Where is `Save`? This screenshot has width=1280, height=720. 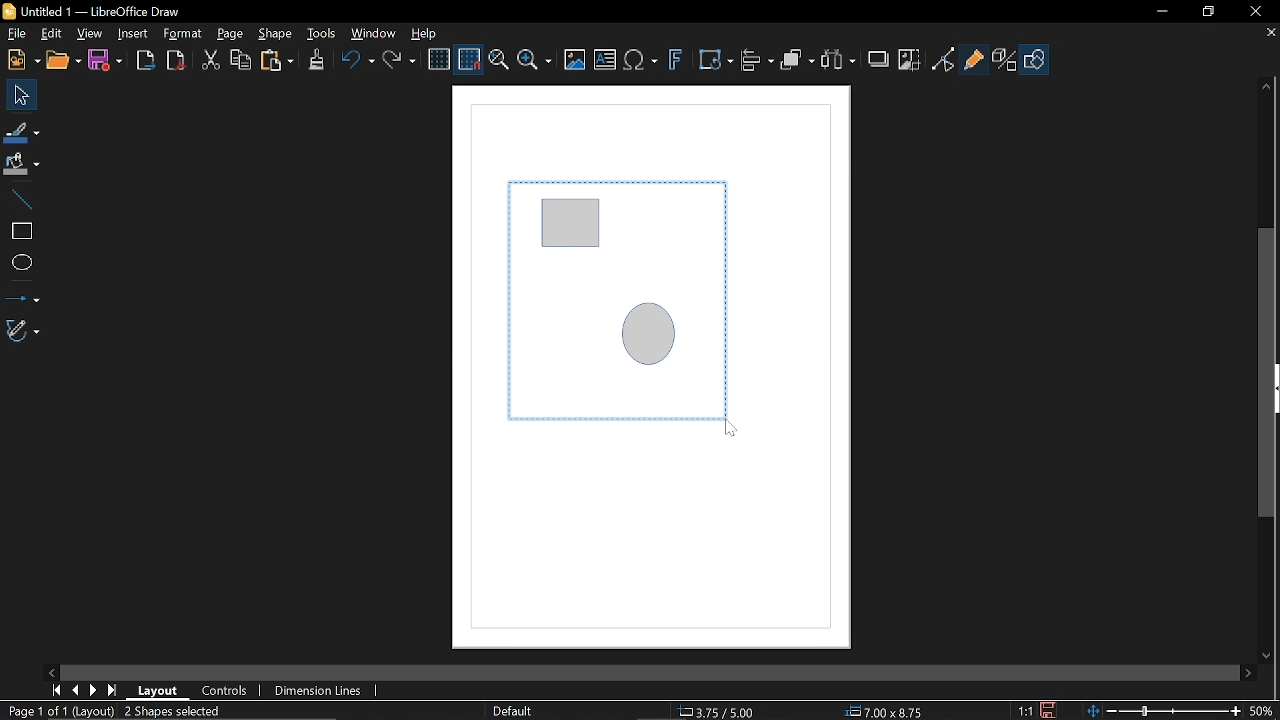 Save is located at coordinates (108, 61).